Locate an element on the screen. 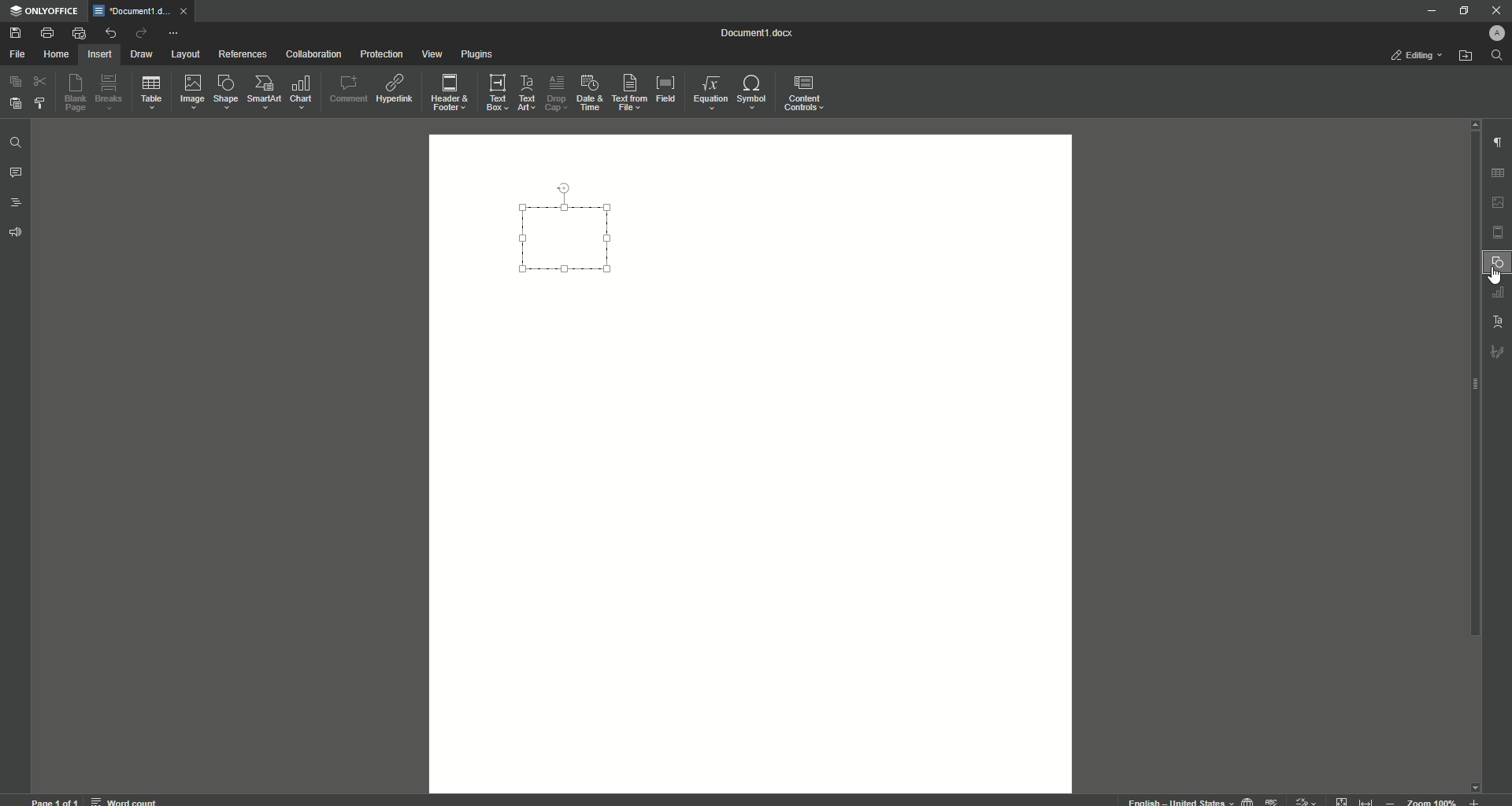 Image resolution: width=1512 pixels, height=806 pixels. set document language is located at coordinates (1247, 800).